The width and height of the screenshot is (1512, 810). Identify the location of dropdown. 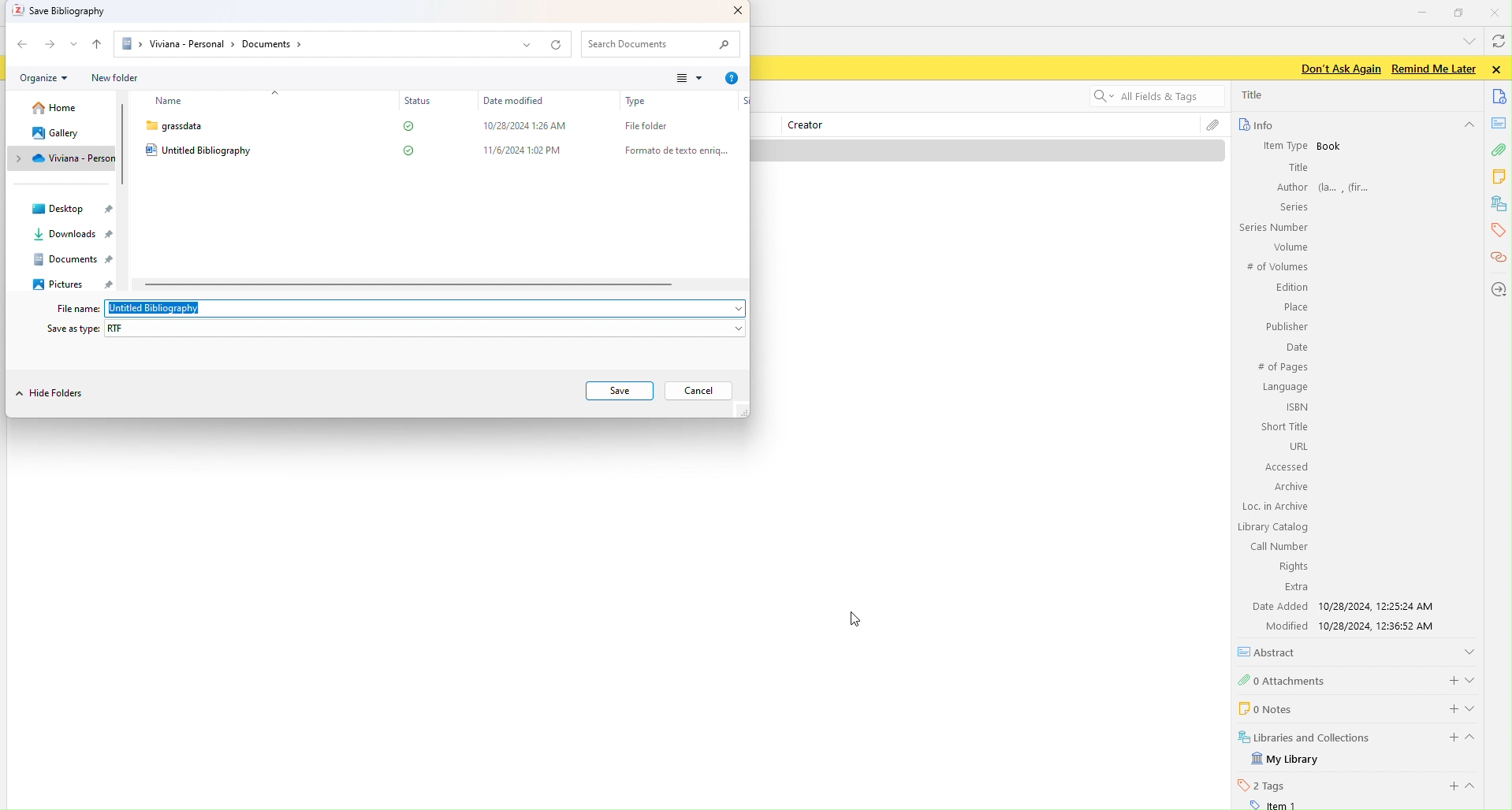
(1466, 40).